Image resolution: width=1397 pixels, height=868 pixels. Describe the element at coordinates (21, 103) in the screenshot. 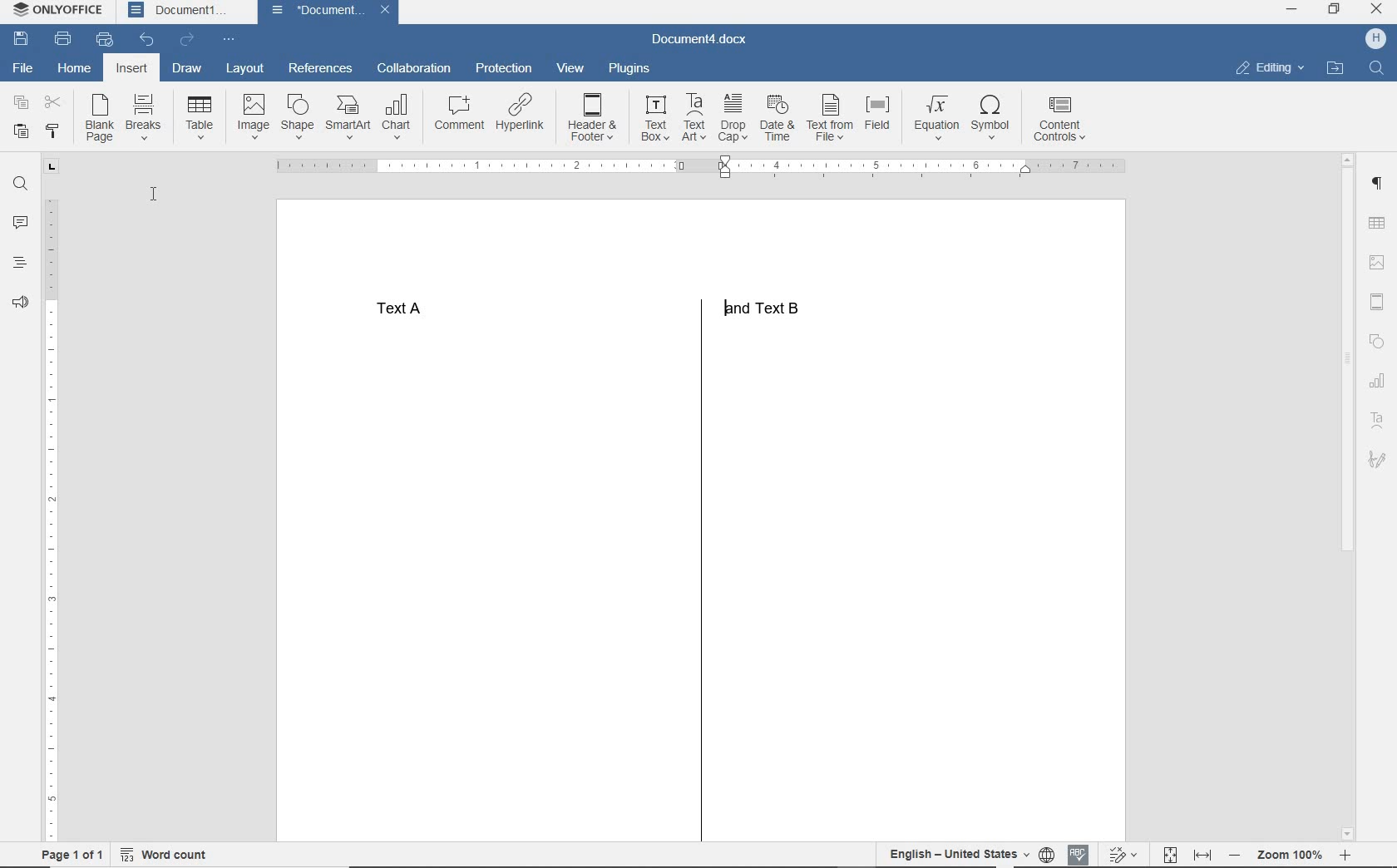

I see `COPY` at that location.